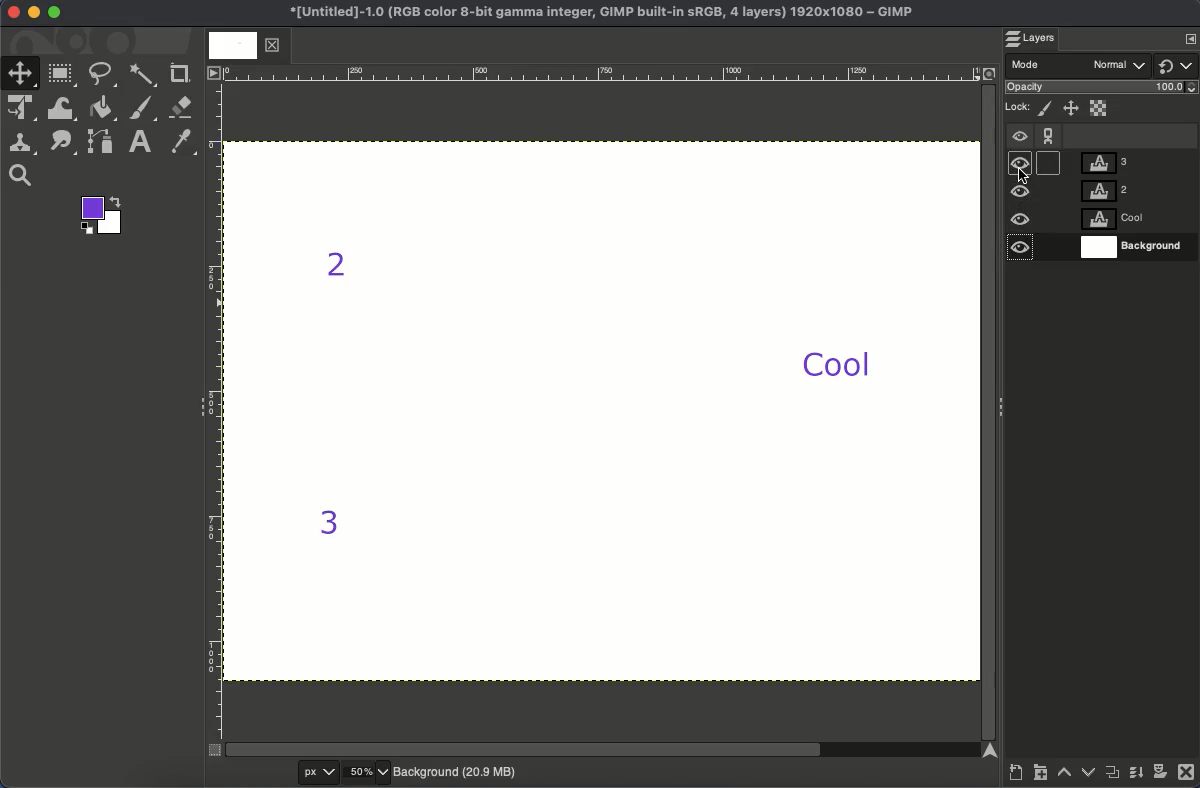 The width and height of the screenshot is (1200, 788). Describe the element at coordinates (1080, 66) in the screenshot. I see `Mode` at that location.